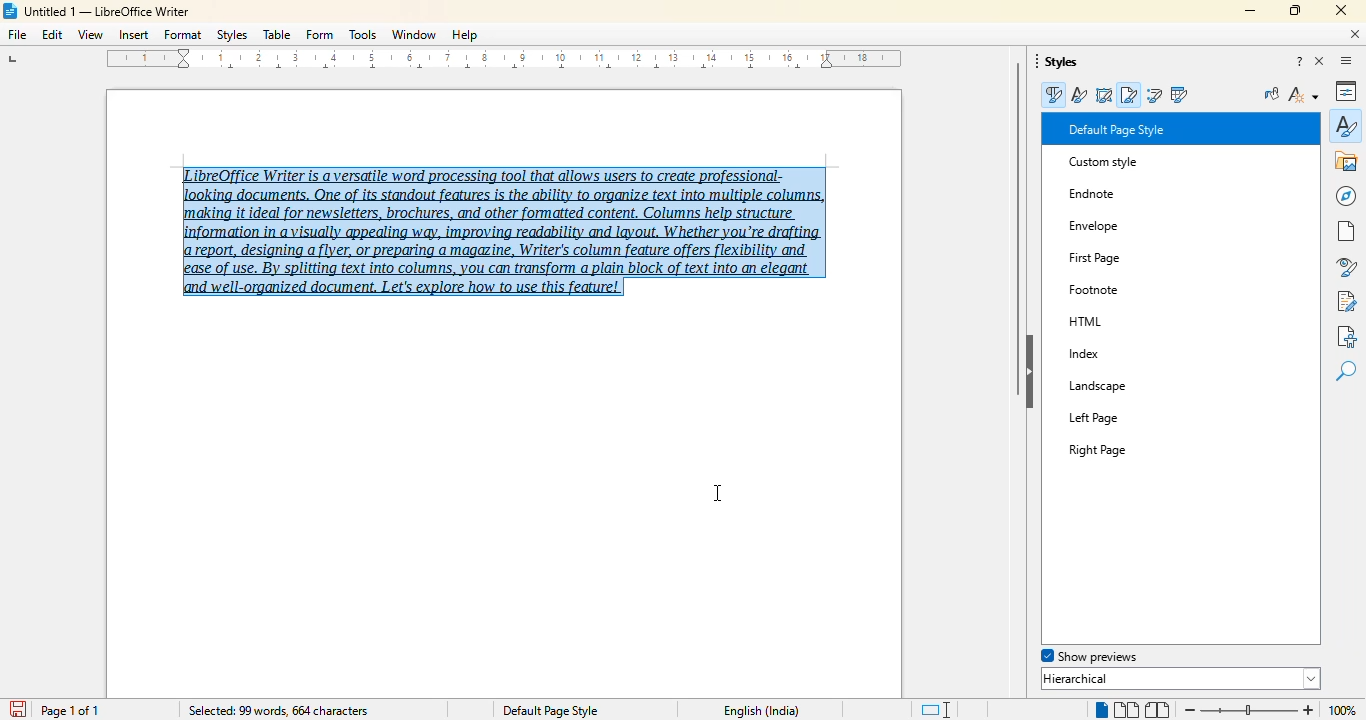 This screenshot has width=1366, height=720. Describe the element at coordinates (415, 34) in the screenshot. I see `window` at that location.